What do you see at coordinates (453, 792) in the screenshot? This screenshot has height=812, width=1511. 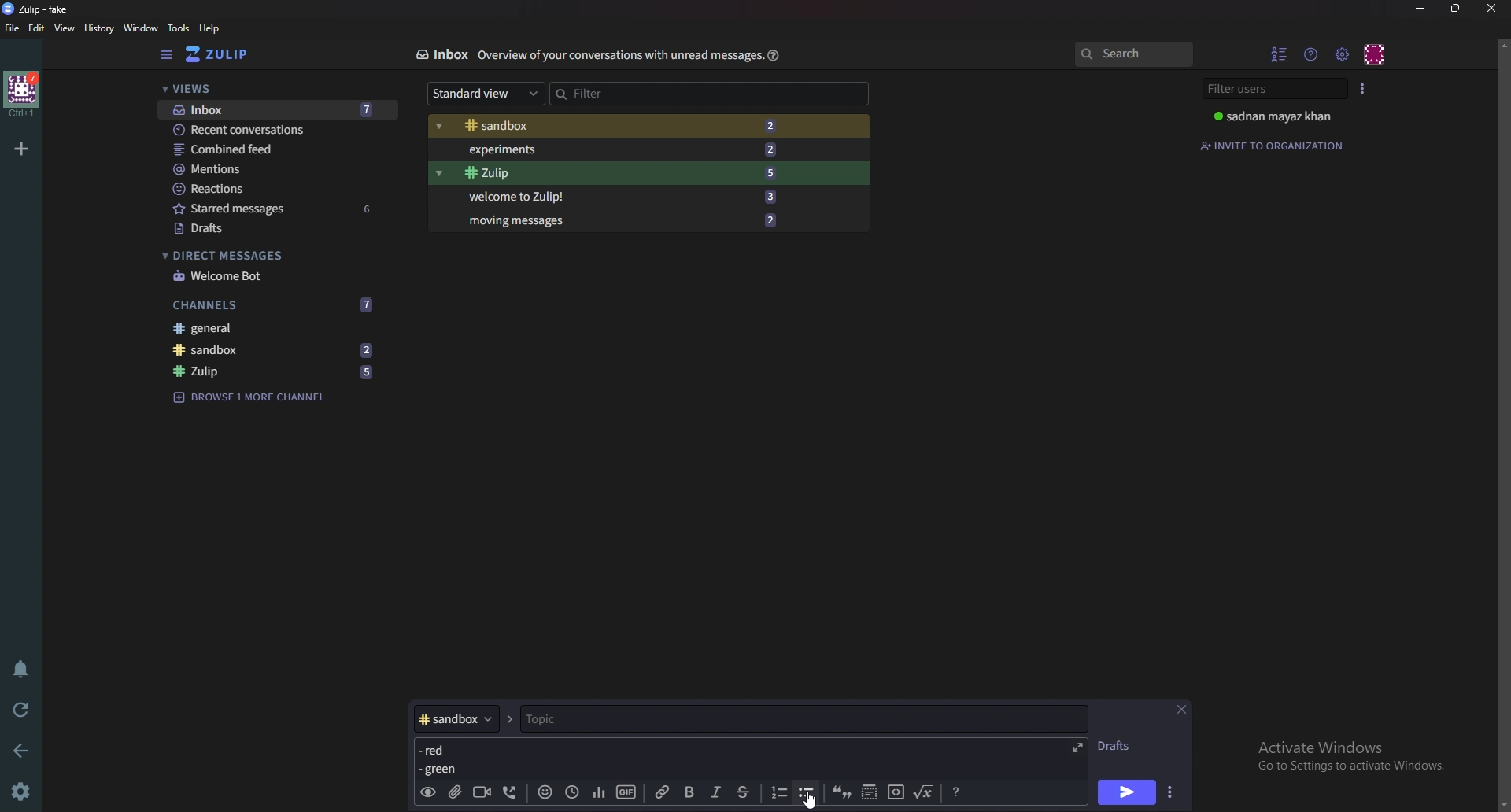 I see `add file` at bounding box center [453, 792].